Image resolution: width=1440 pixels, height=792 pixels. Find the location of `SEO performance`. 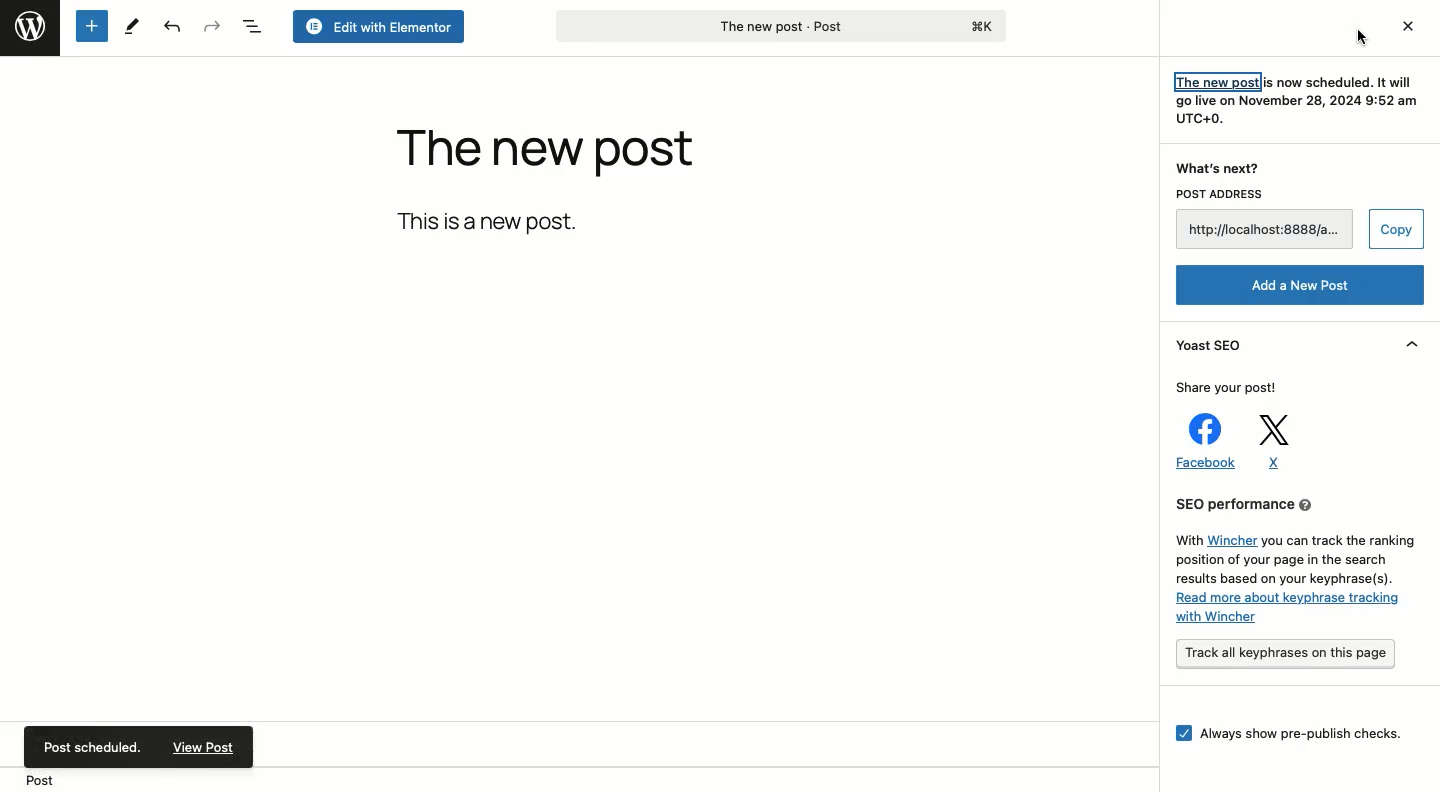

SEO performance is located at coordinates (1292, 506).